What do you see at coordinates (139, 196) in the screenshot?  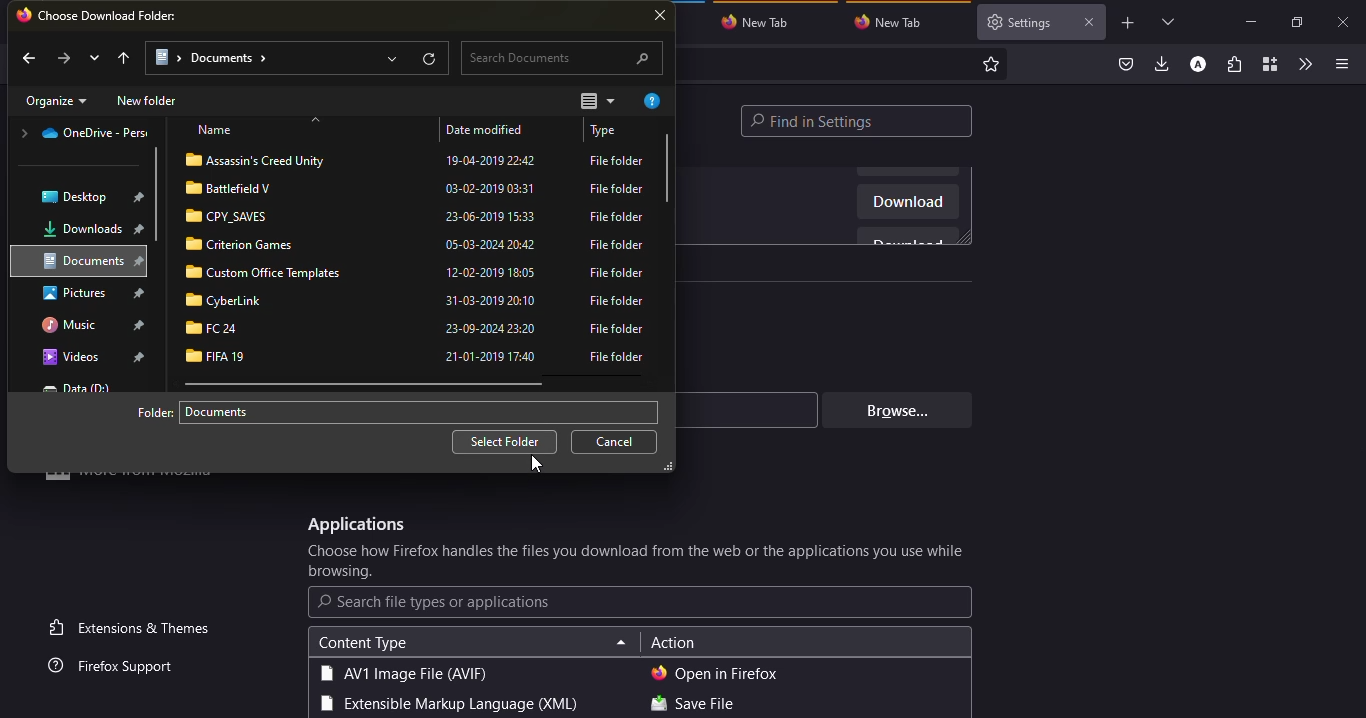 I see `pin` at bounding box center [139, 196].